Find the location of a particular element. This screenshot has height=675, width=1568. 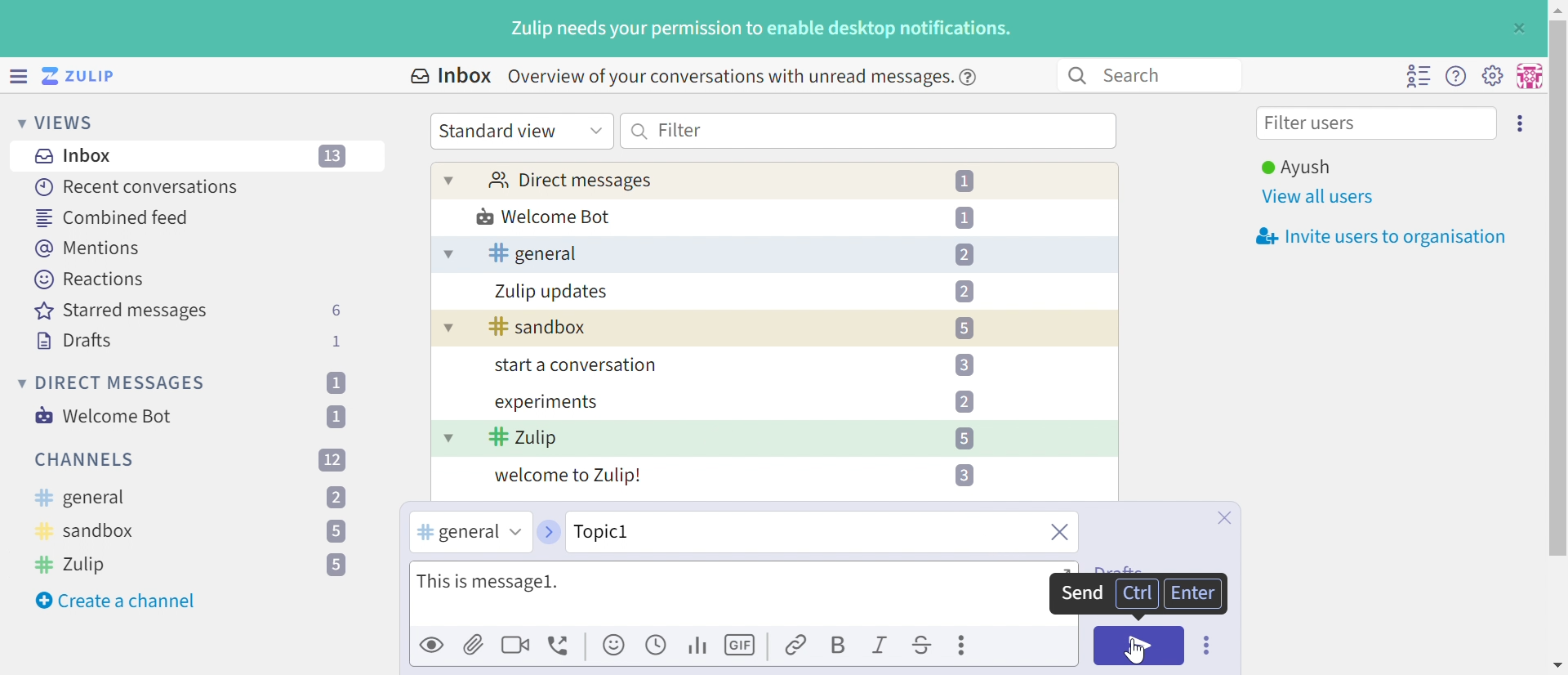

Drafts is located at coordinates (74, 342).